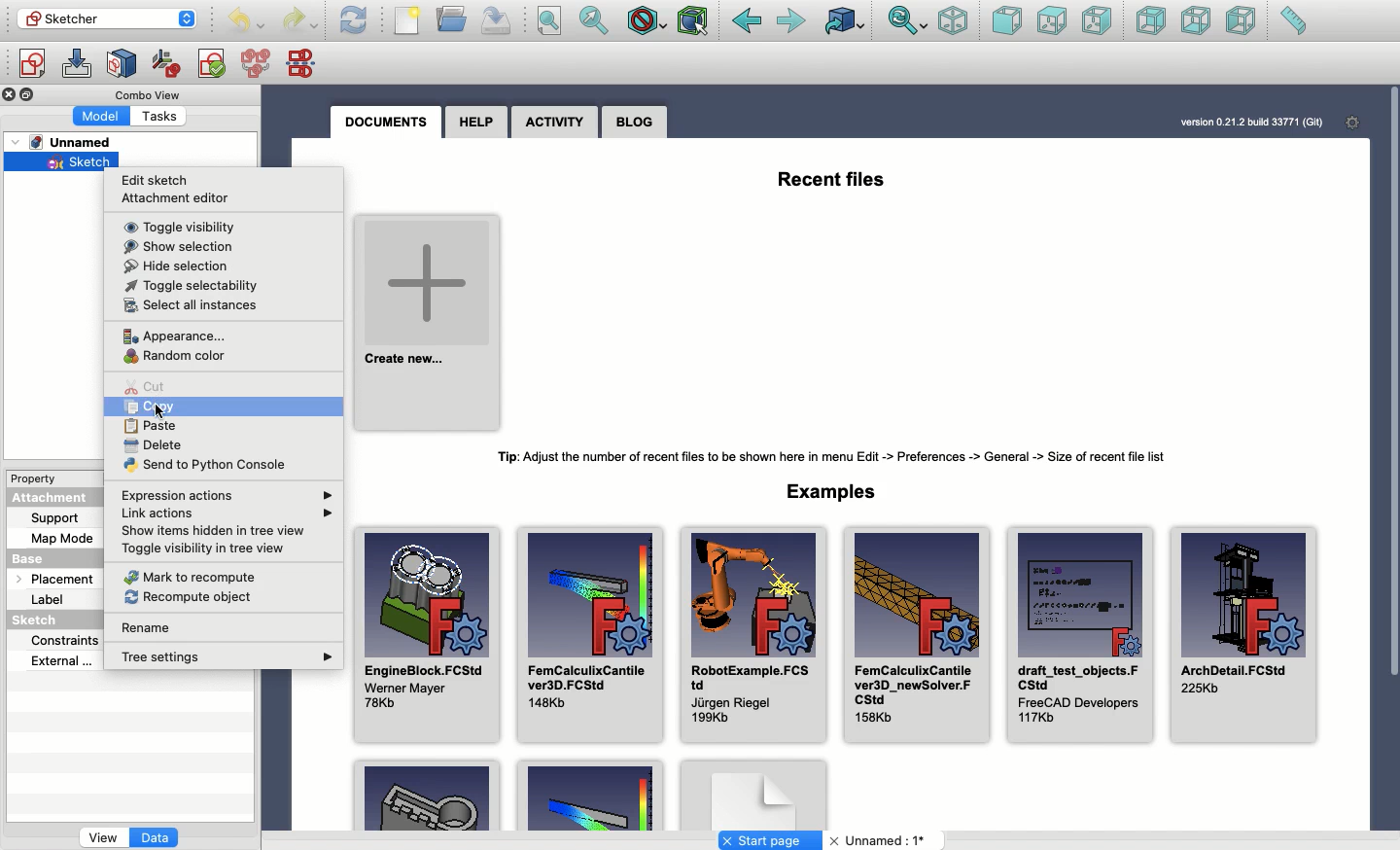 This screenshot has width=1400, height=850. I want to click on Activity , so click(554, 124).